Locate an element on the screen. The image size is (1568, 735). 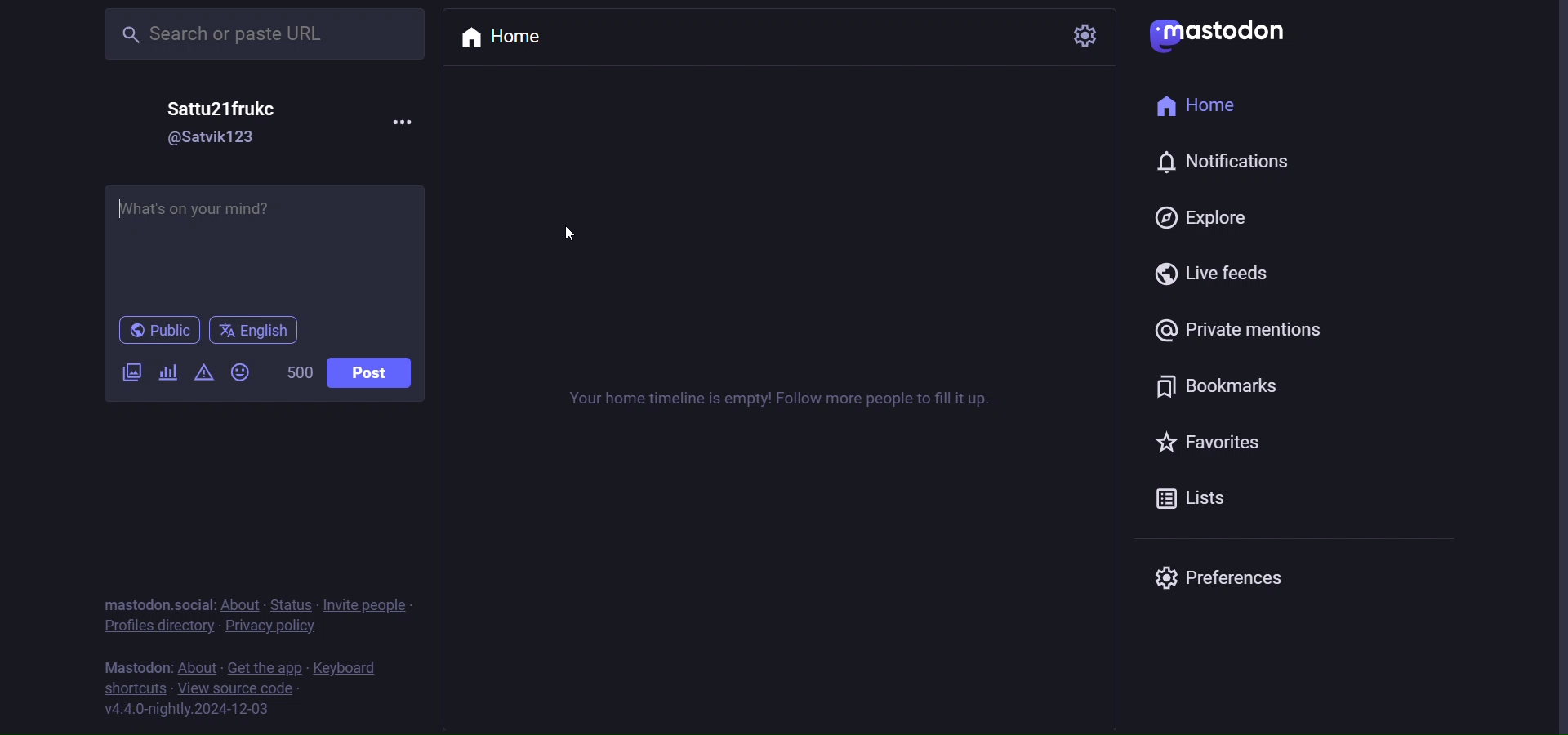
favorites is located at coordinates (1210, 446).